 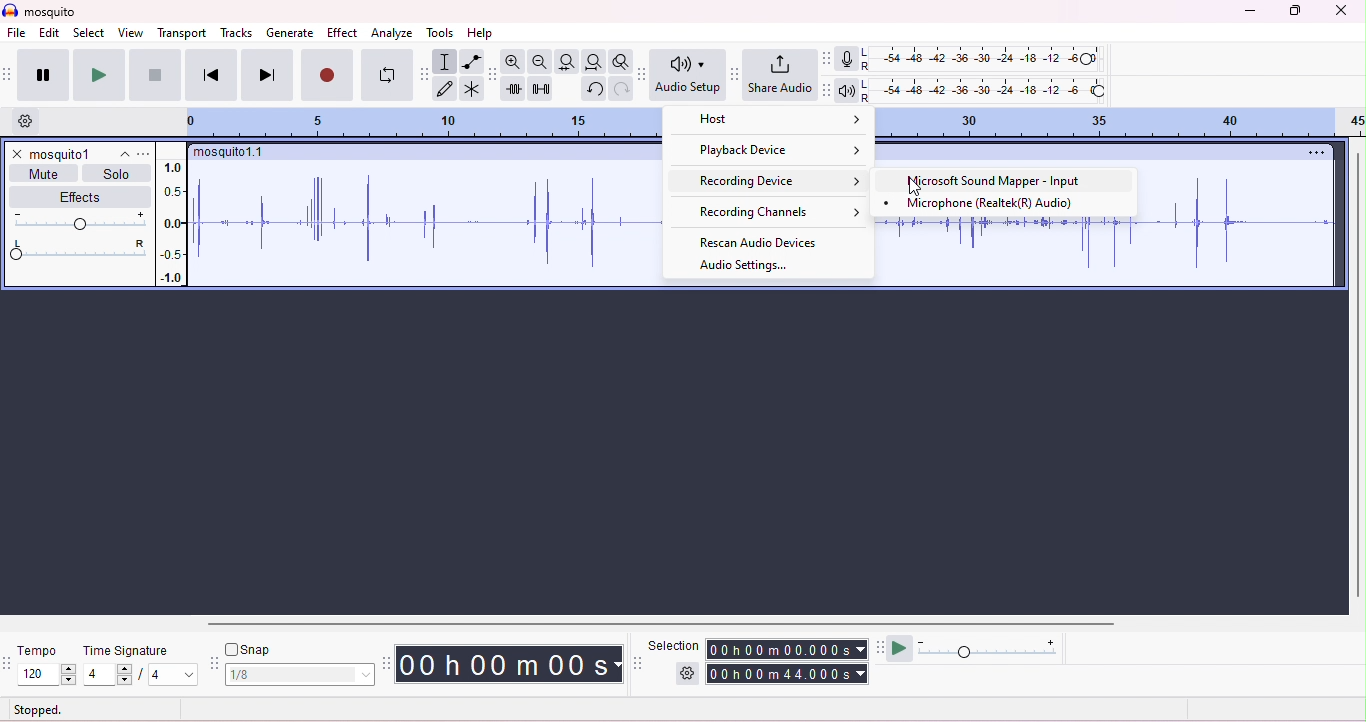 What do you see at coordinates (77, 250) in the screenshot?
I see `pan` at bounding box center [77, 250].